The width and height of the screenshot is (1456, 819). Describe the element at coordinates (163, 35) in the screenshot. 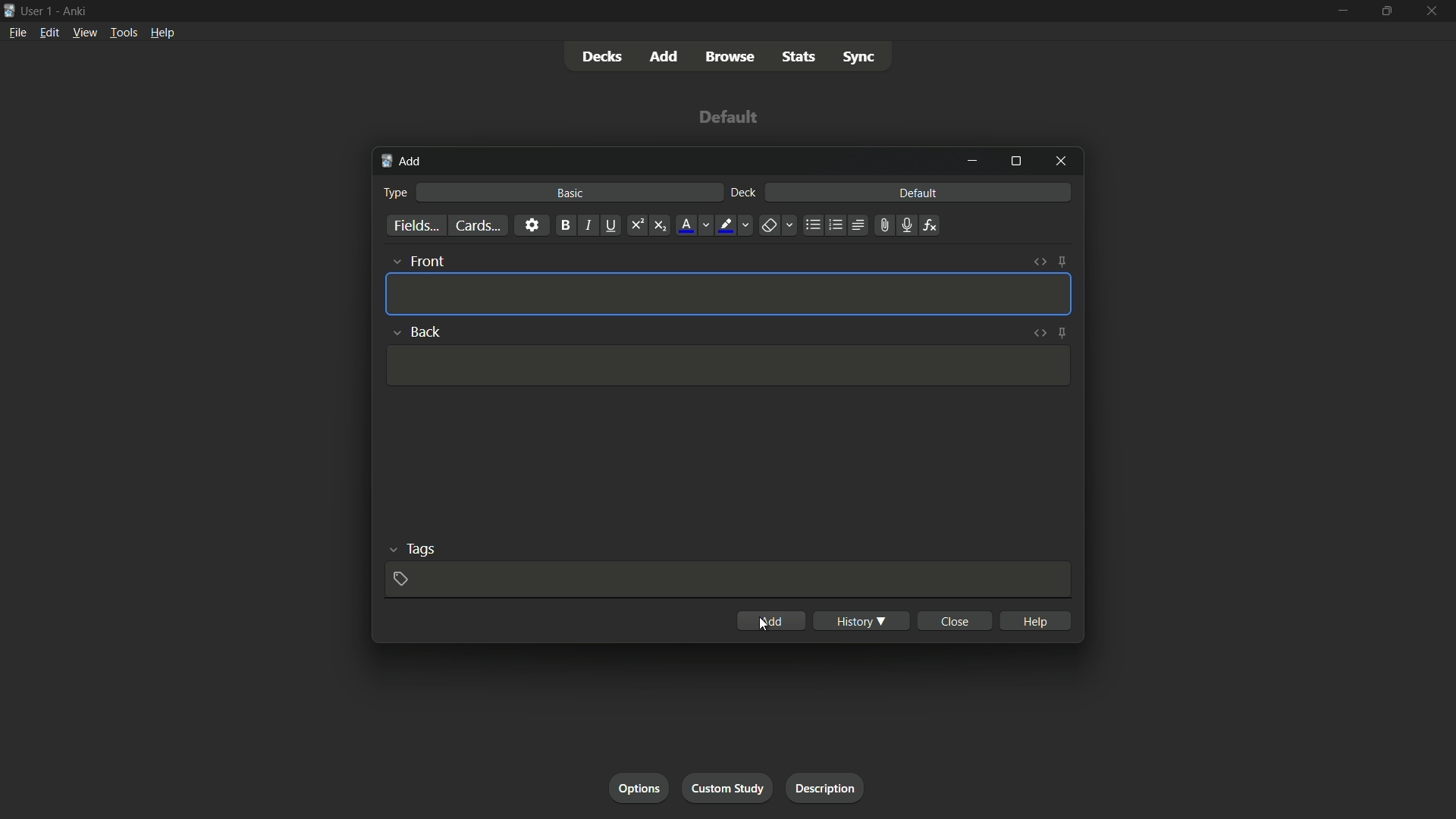

I see `help` at that location.